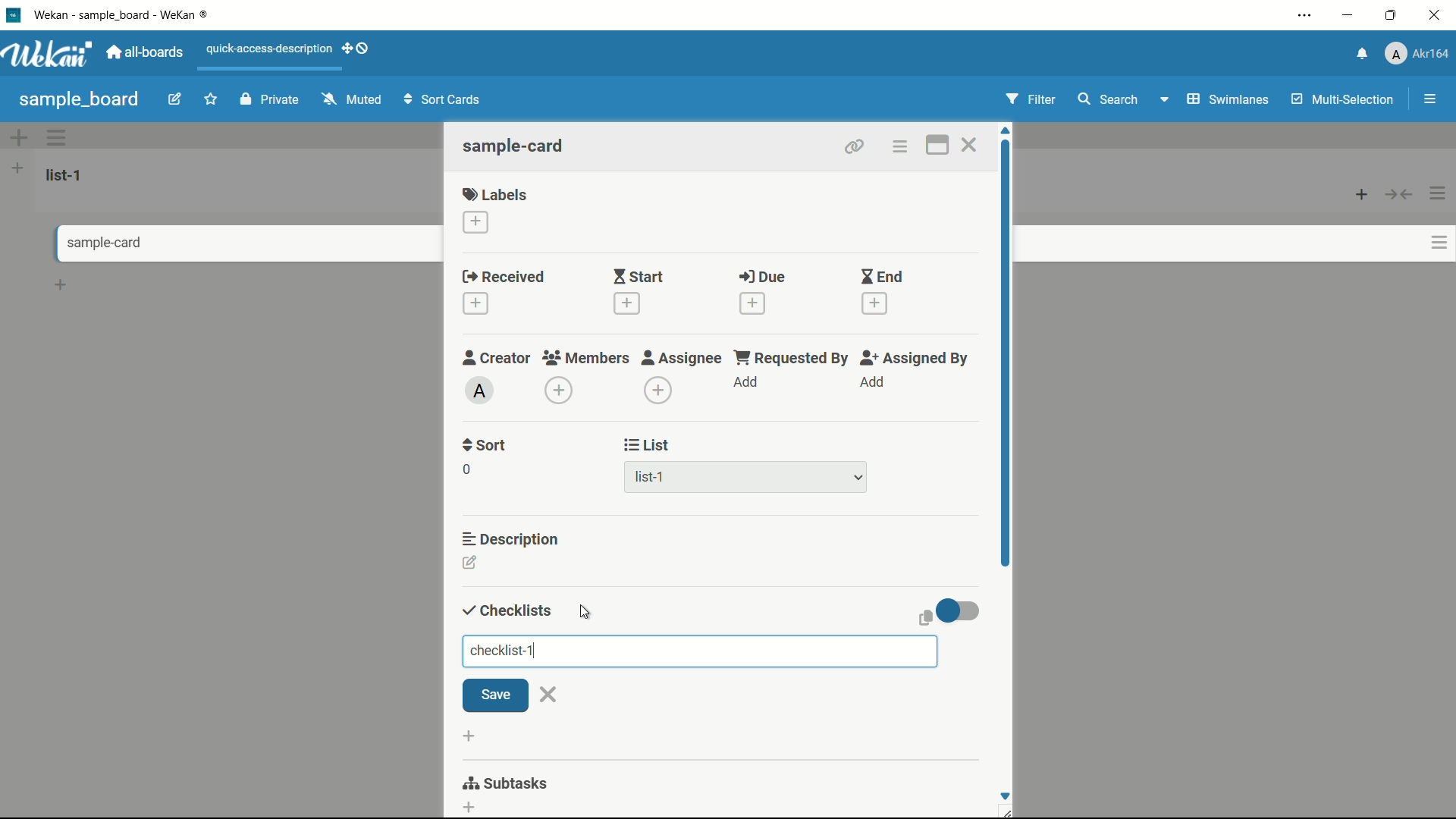  Describe the element at coordinates (47, 54) in the screenshot. I see `app logo` at that location.